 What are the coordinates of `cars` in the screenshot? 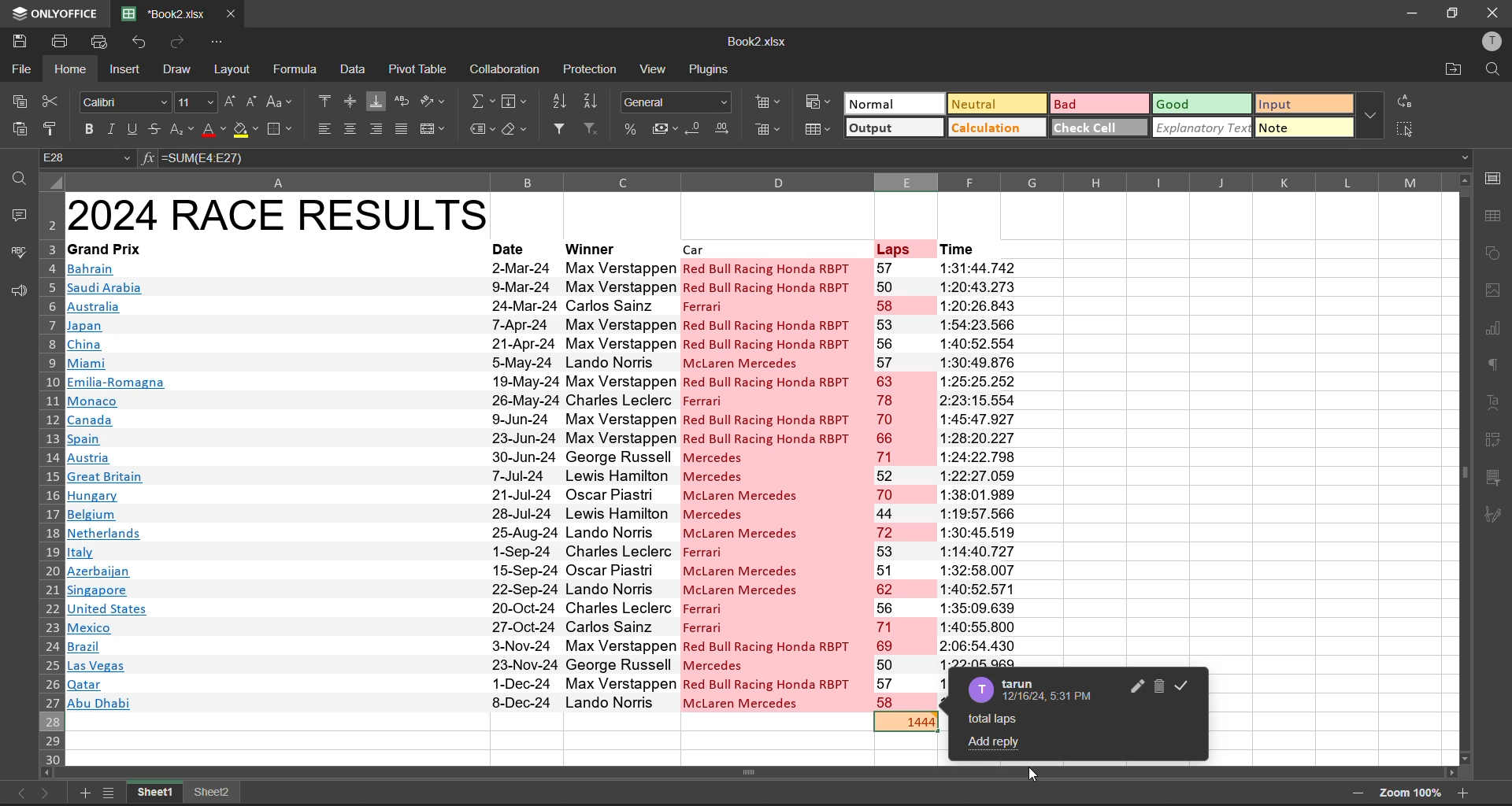 It's located at (769, 485).